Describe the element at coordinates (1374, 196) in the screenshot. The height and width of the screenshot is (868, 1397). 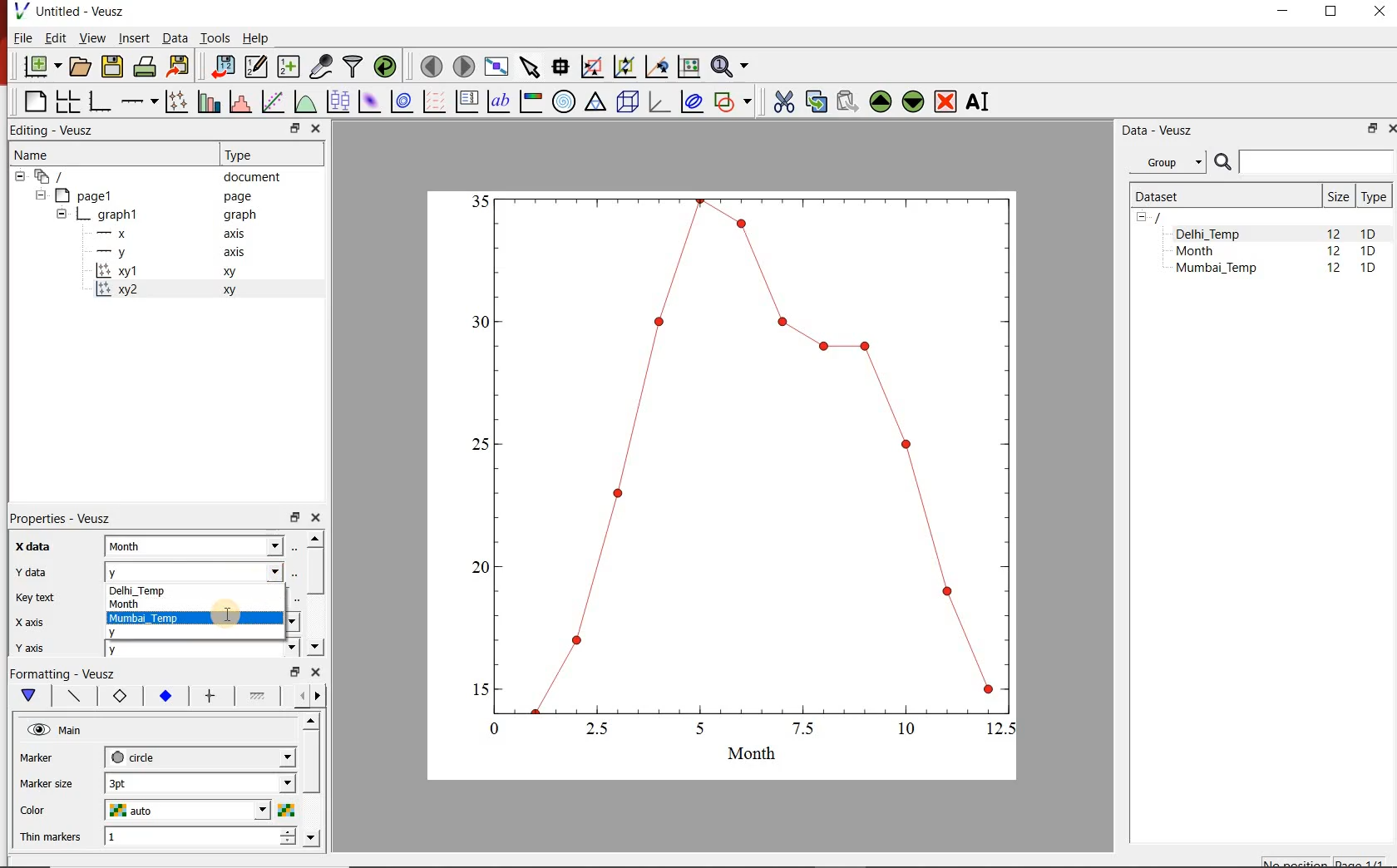
I see `Type` at that location.